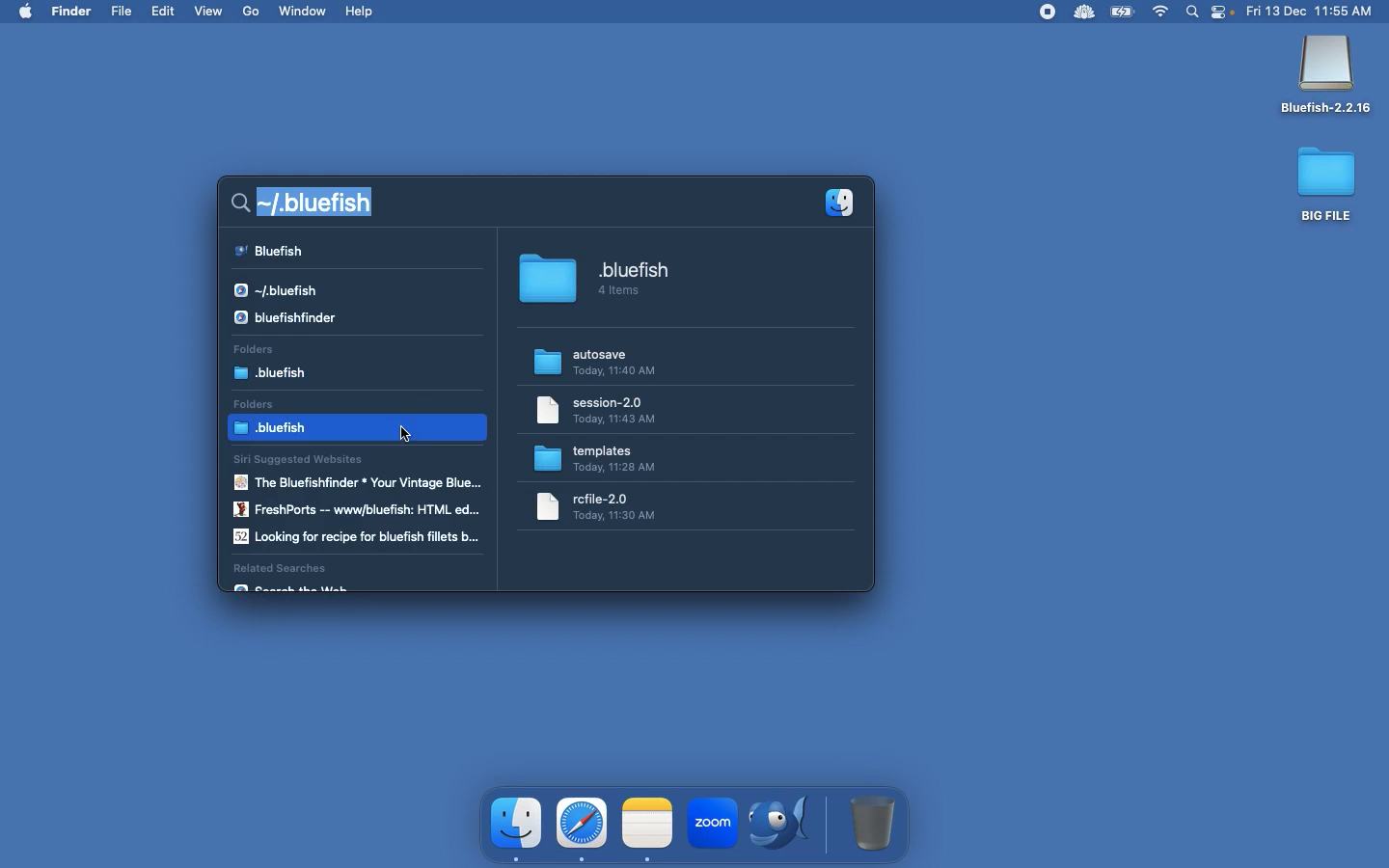 The width and height of the screenshot is (1389, 868). I want to click on Templates, so click(604, 459).